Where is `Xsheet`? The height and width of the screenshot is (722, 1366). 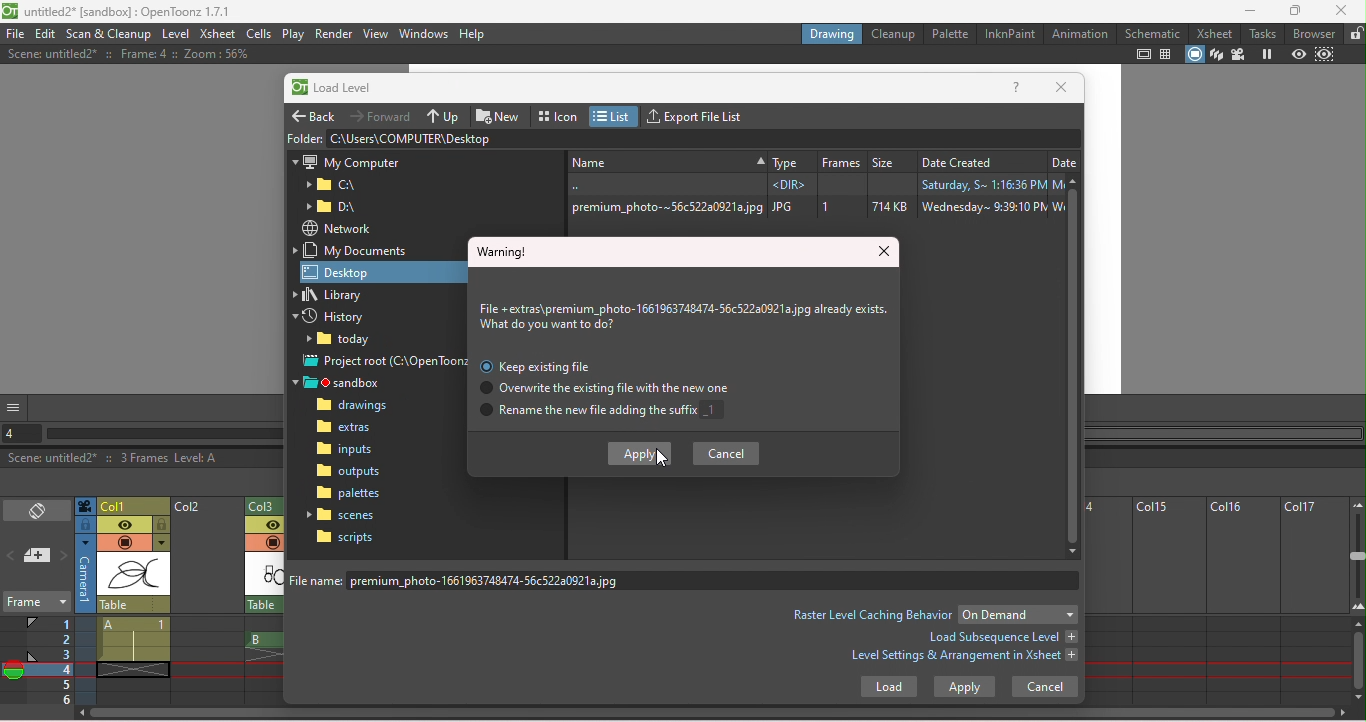 Xsheet is located at coordinates (217, 35).